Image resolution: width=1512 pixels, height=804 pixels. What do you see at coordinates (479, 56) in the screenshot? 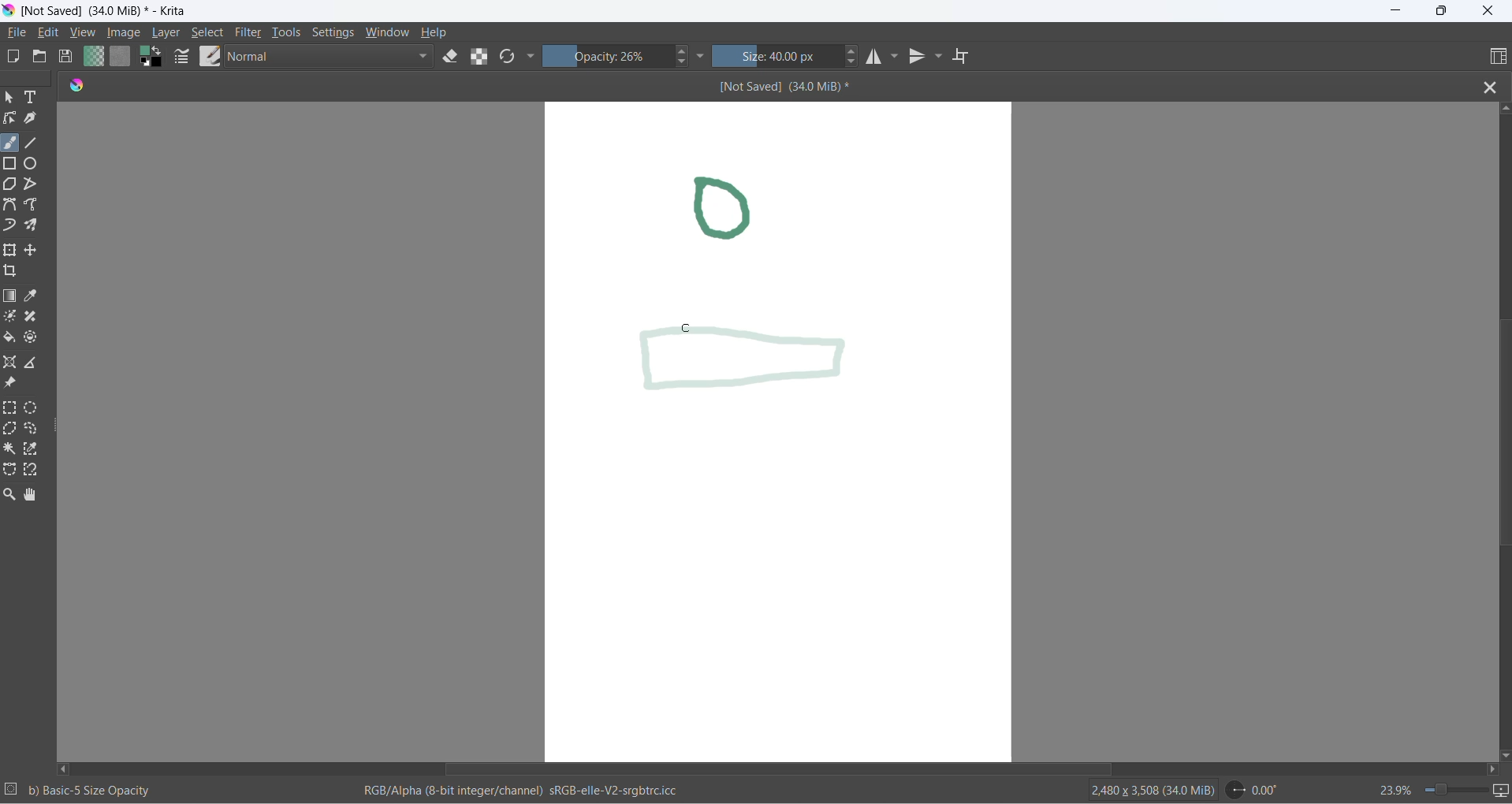
I see `preserve alpha` at bounding box center [479, 56].